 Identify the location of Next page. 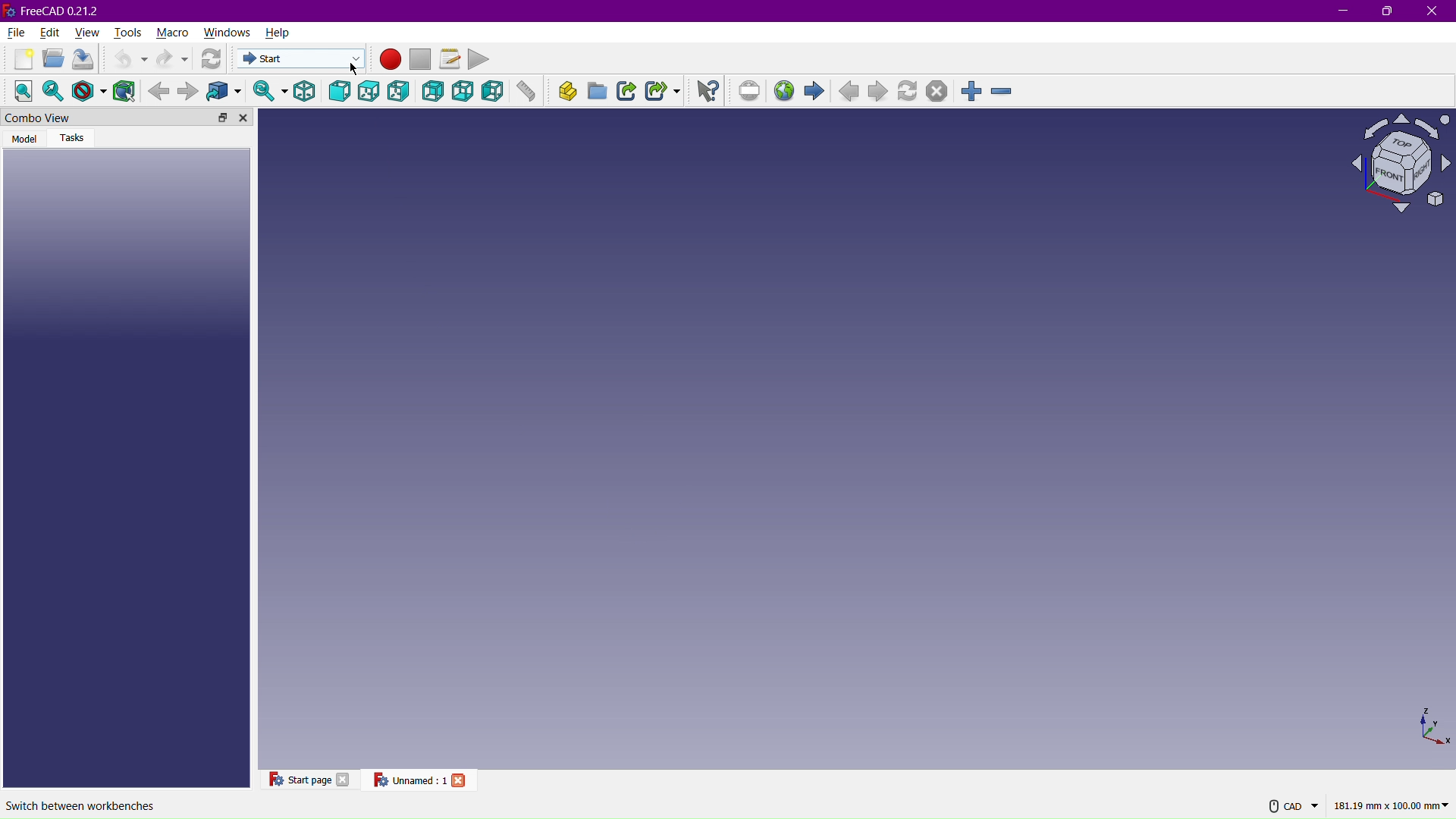
(880, 93).